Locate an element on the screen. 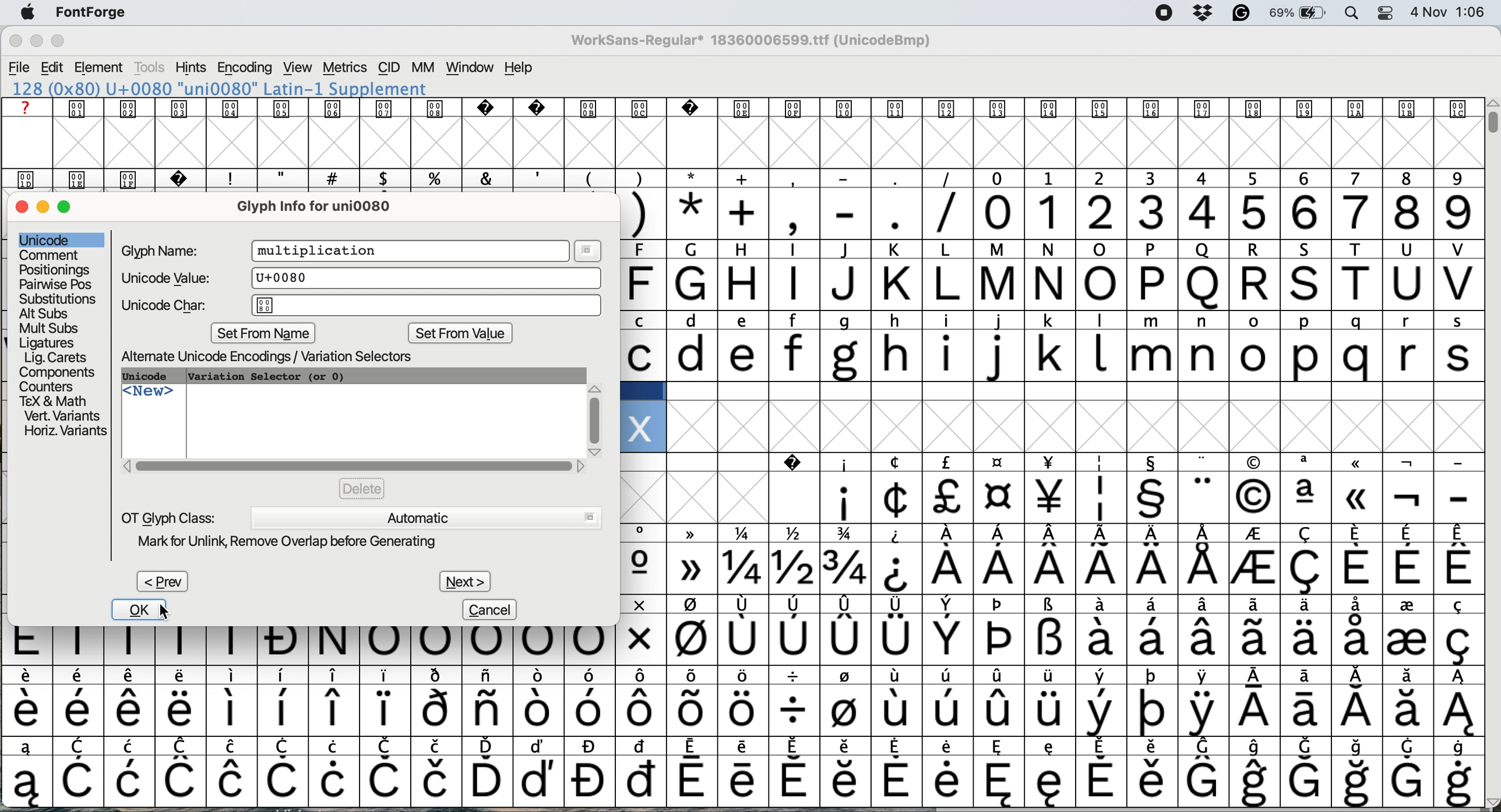 The height and width of the screenshot is (812, 1501). positionings is located at coordinates (55, 270).